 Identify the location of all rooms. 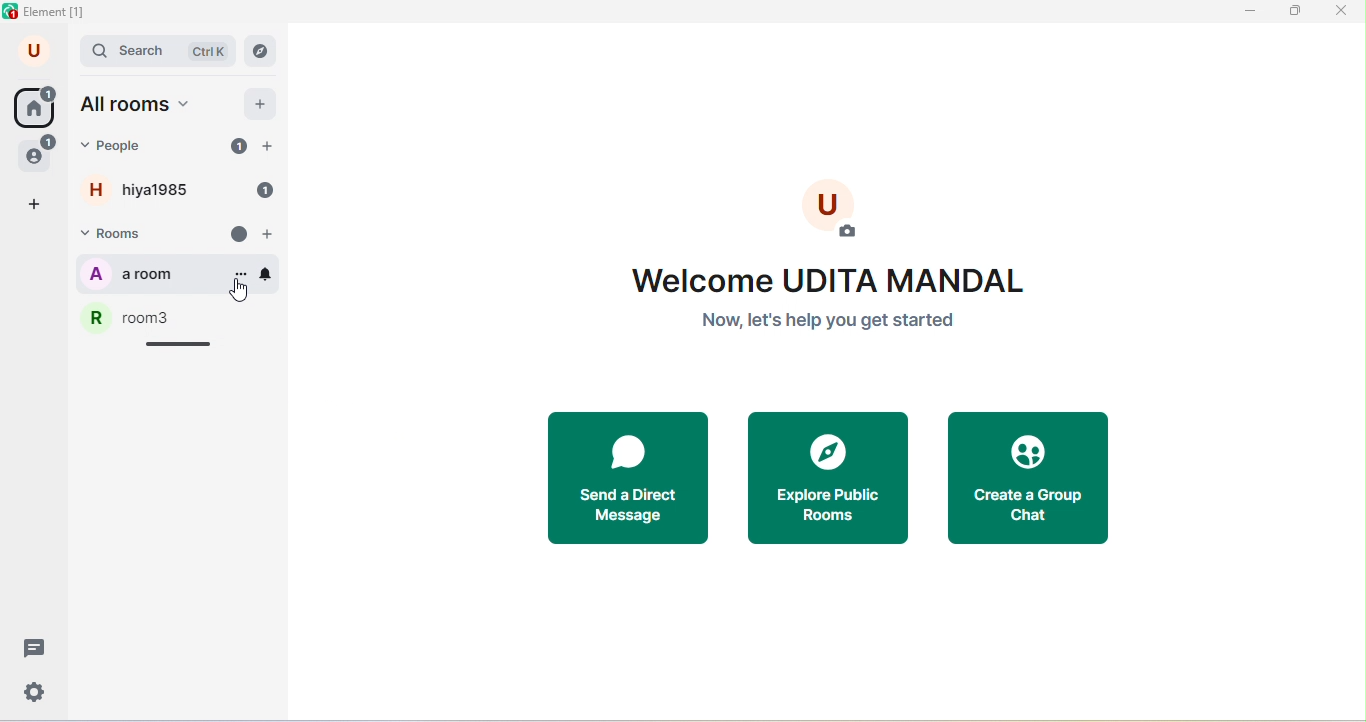
(141, 106).